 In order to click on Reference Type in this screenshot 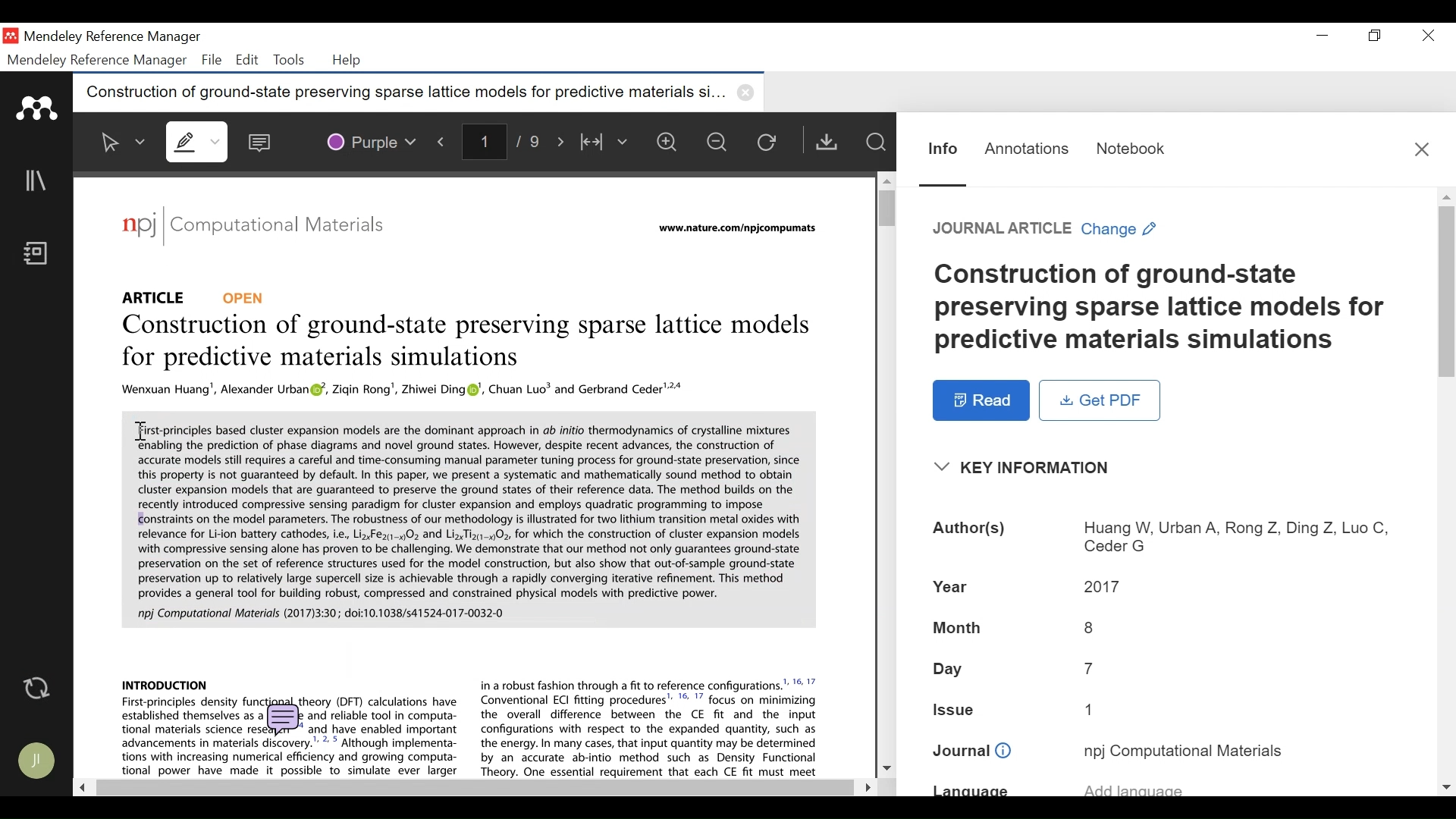, I will do `click(195, 297)`.